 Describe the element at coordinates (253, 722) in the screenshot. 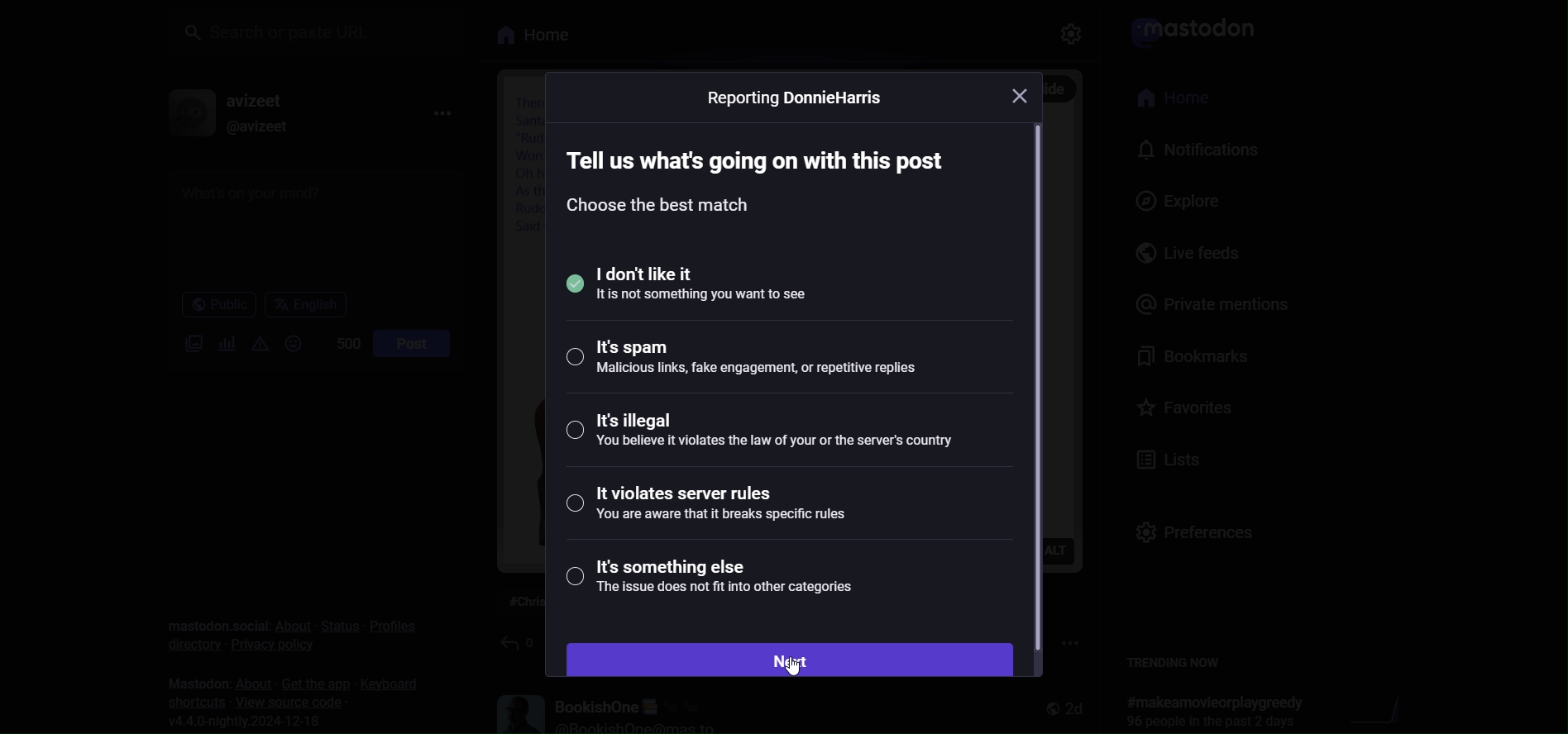

I see `version` at that location.